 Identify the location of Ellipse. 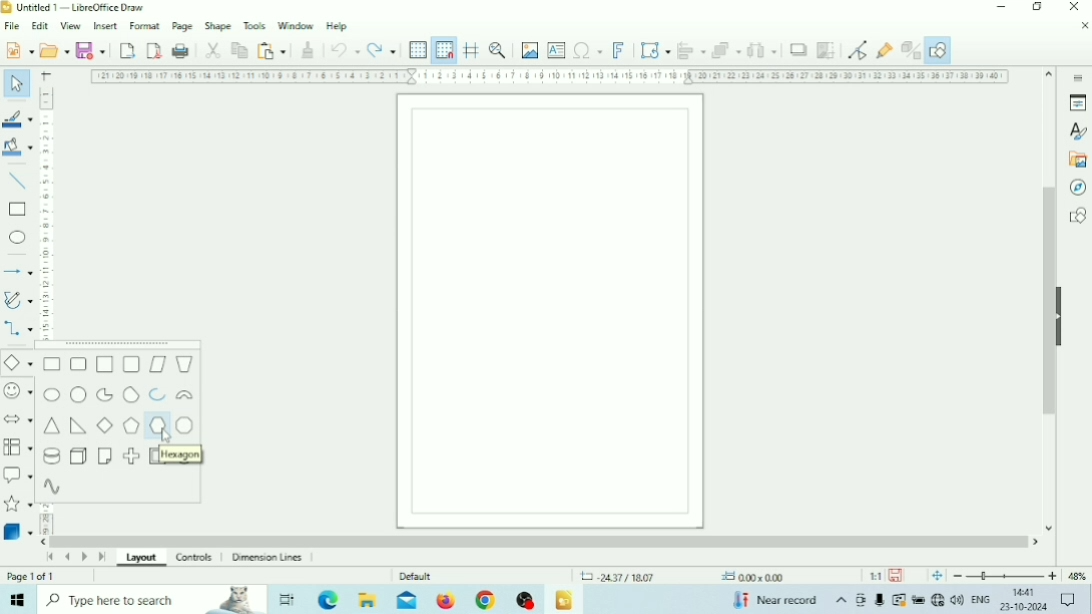
(52, 394).